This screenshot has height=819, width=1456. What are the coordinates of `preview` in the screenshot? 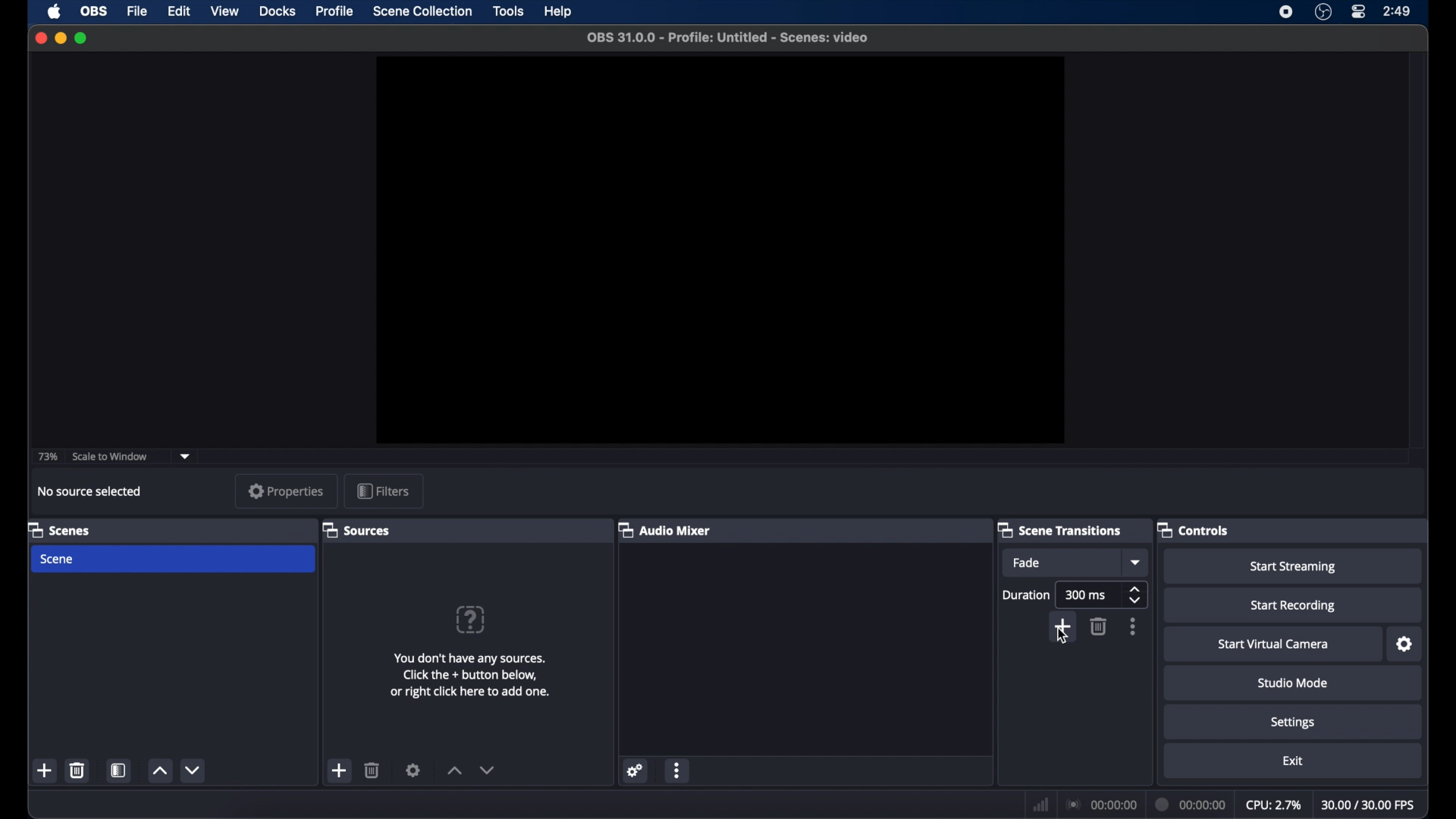 It's located at (720, 250).